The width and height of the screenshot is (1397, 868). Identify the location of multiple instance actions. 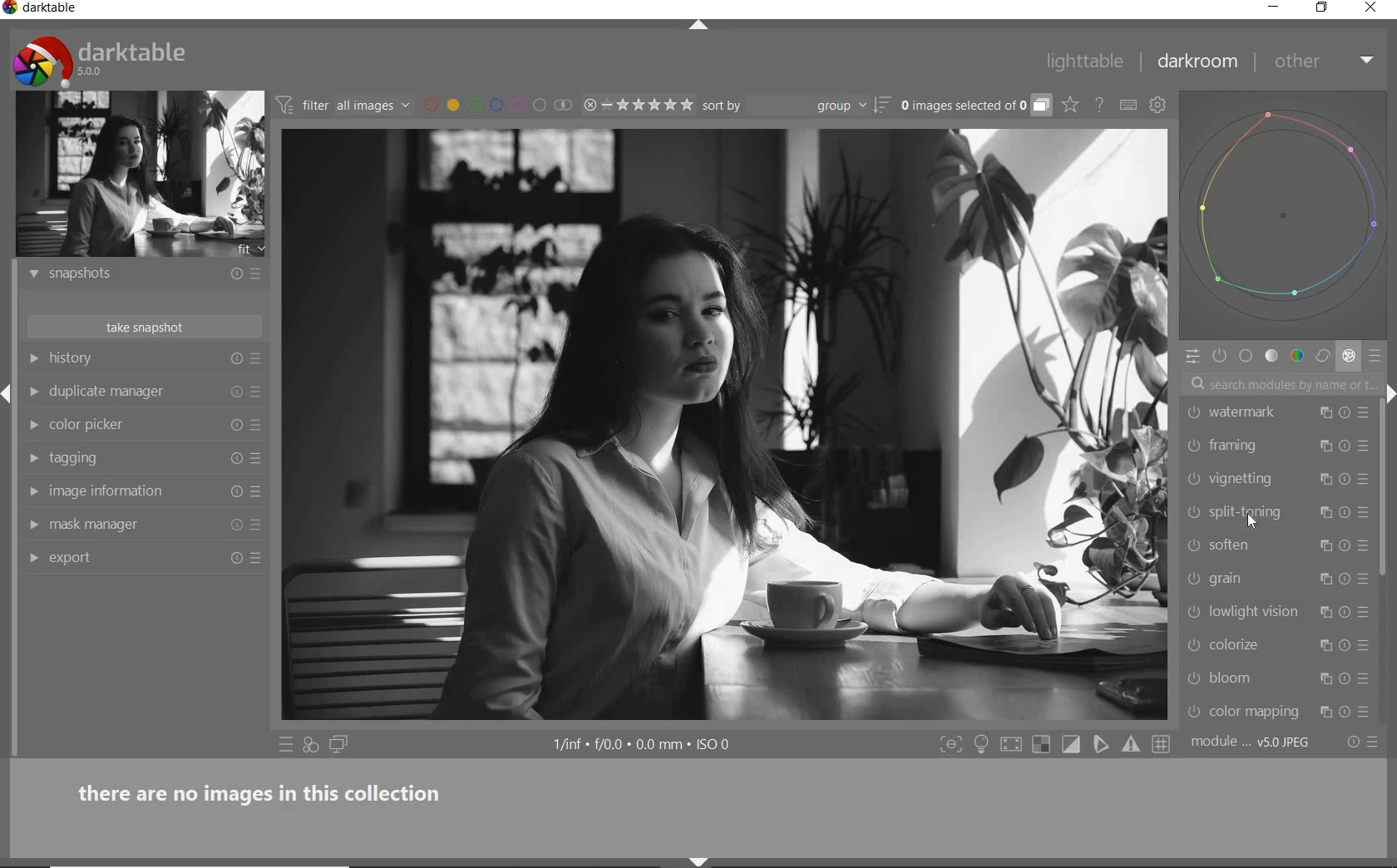
(1324, 712).